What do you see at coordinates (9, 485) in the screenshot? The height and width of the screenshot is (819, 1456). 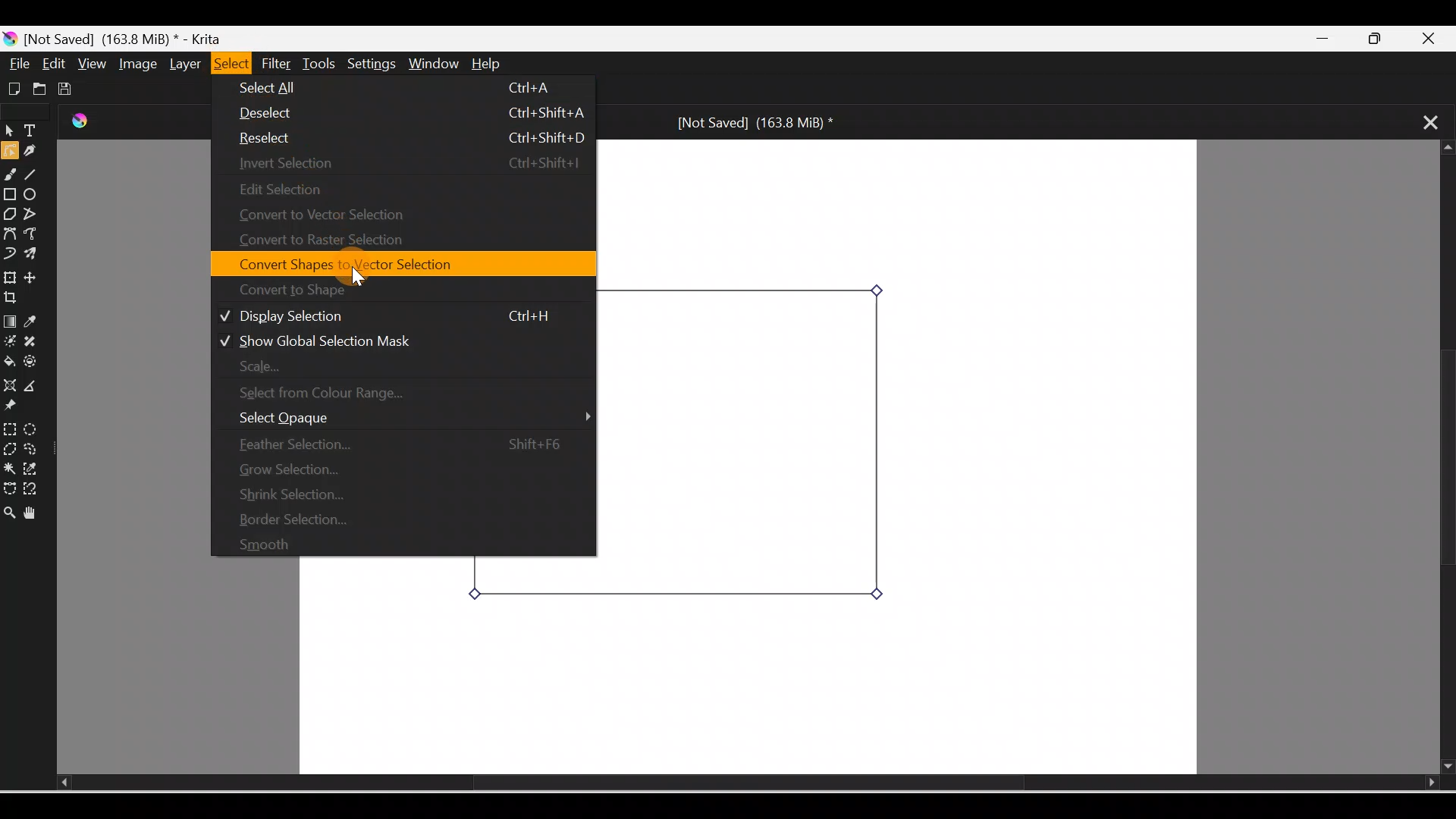 I see `Bezier curve selection tool` at bounding box center [9, 485].